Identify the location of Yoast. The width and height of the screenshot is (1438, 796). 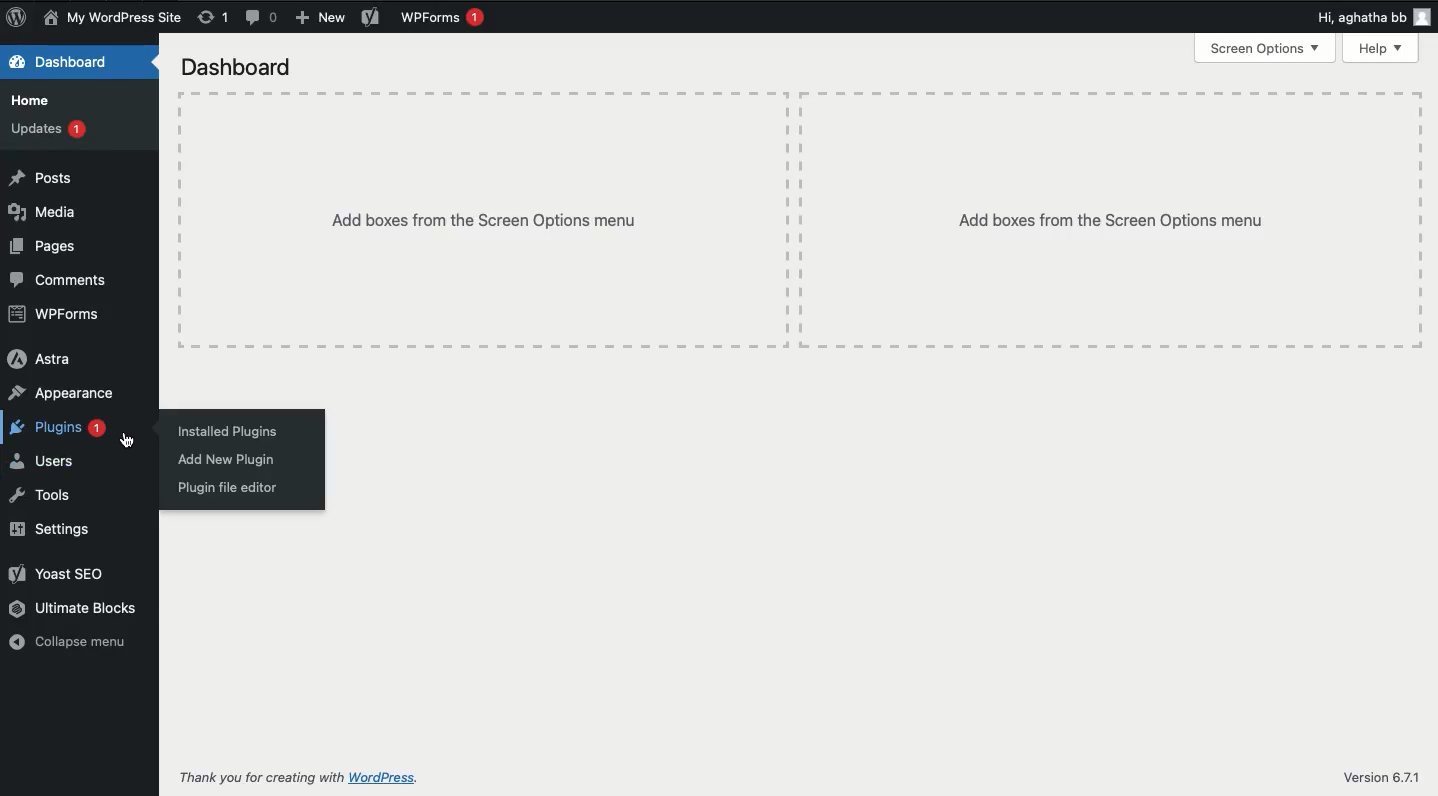
(371, 18).